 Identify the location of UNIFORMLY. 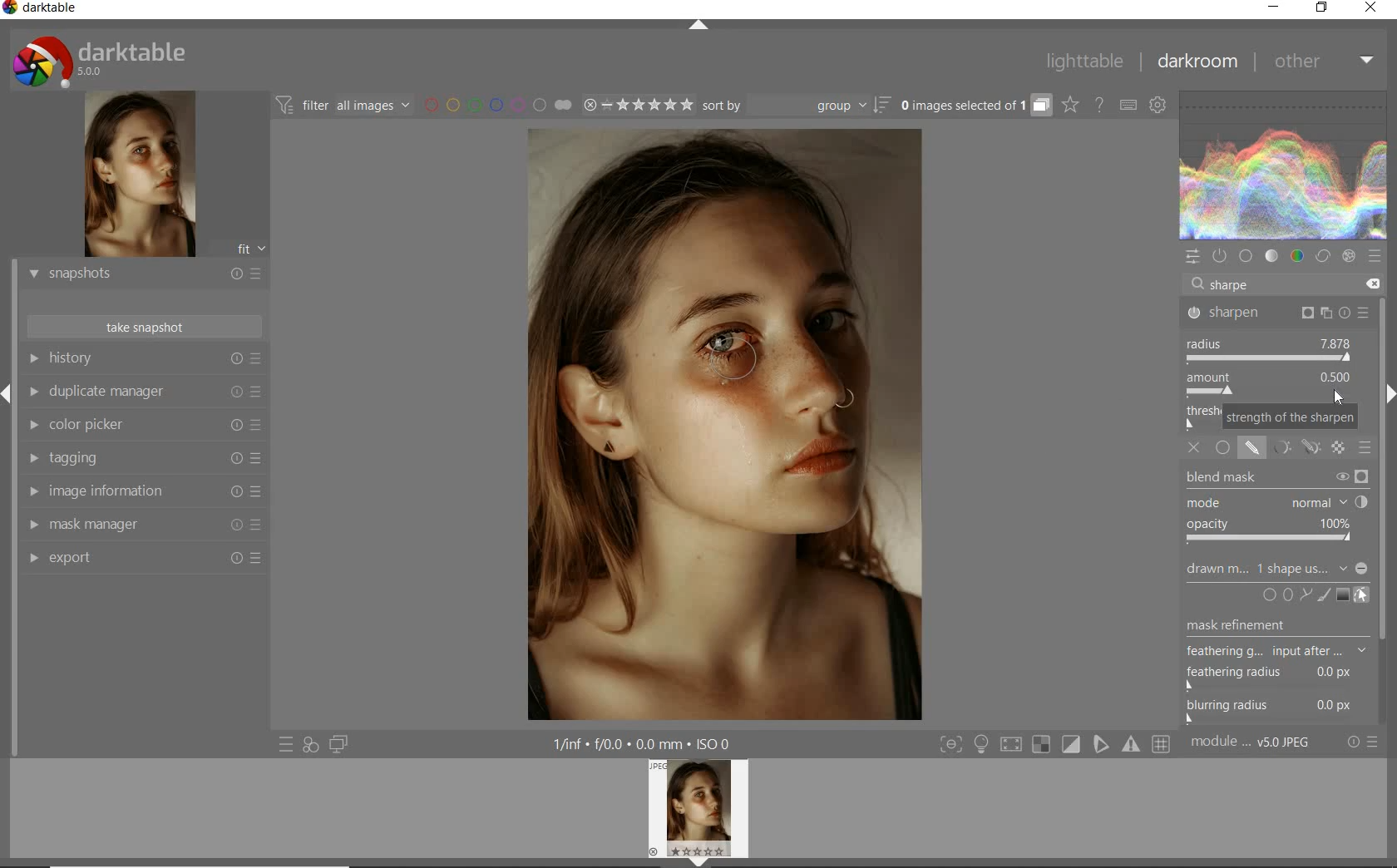
(1224, 452).